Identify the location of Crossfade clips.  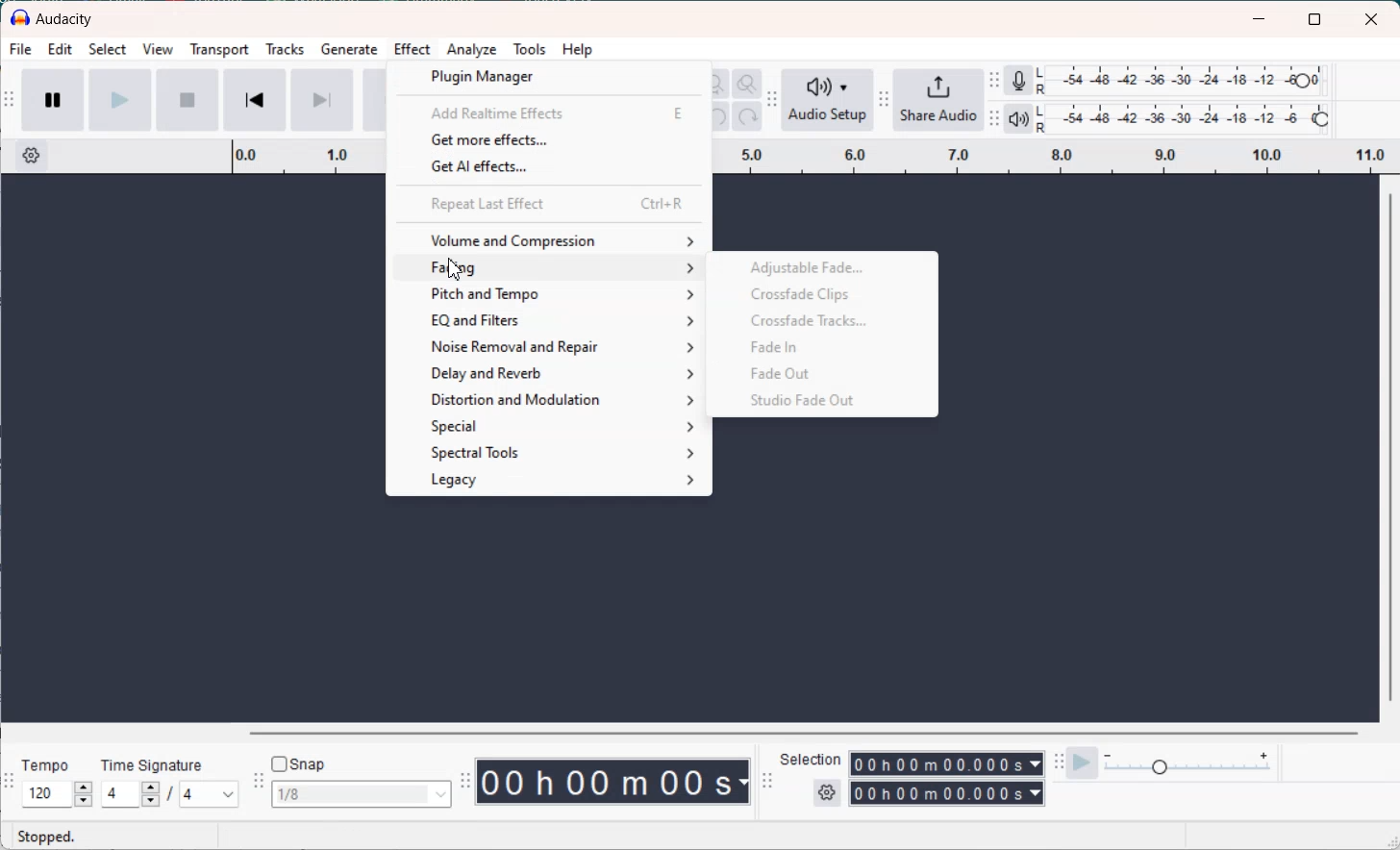
(819, 293).